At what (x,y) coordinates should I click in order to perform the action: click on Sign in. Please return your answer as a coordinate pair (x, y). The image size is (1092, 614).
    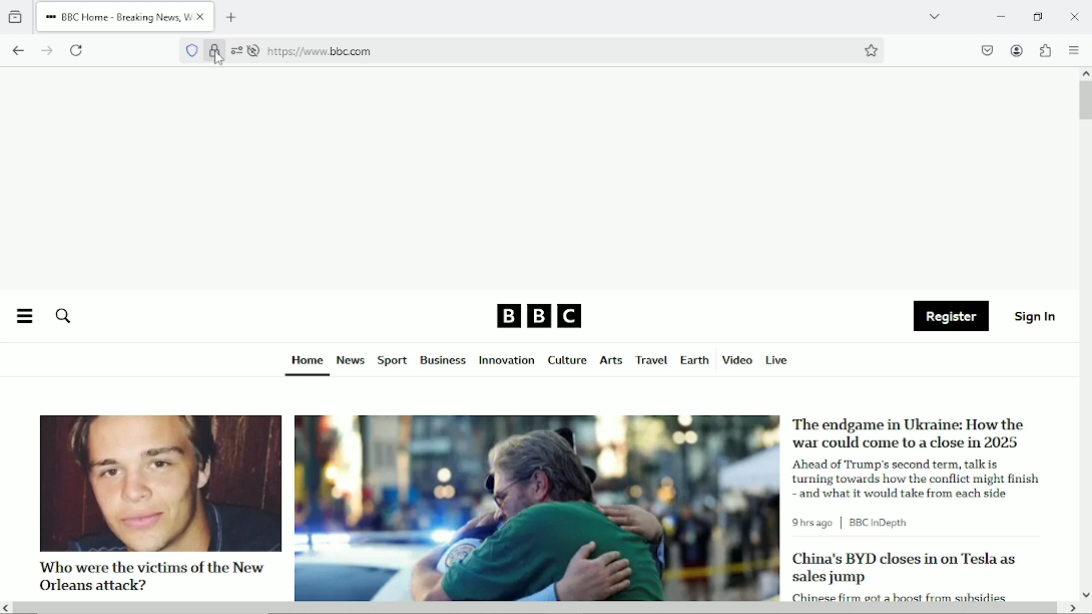
    Looking at the image, I should click on (1036, 315).